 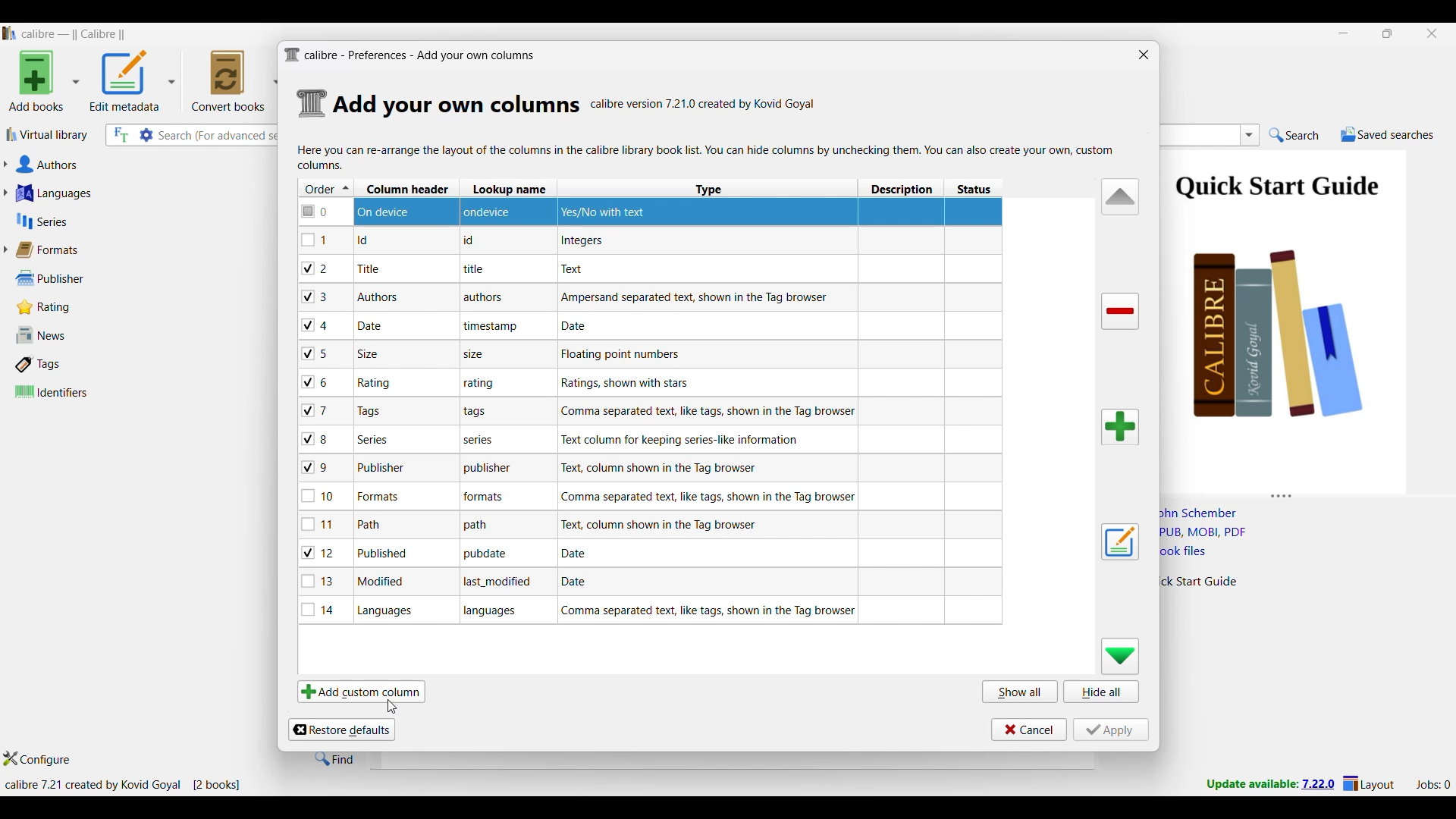 What do you see at coordinates (481, 526) in the screenshot?
I see `note` at bounding box center [481, 526].